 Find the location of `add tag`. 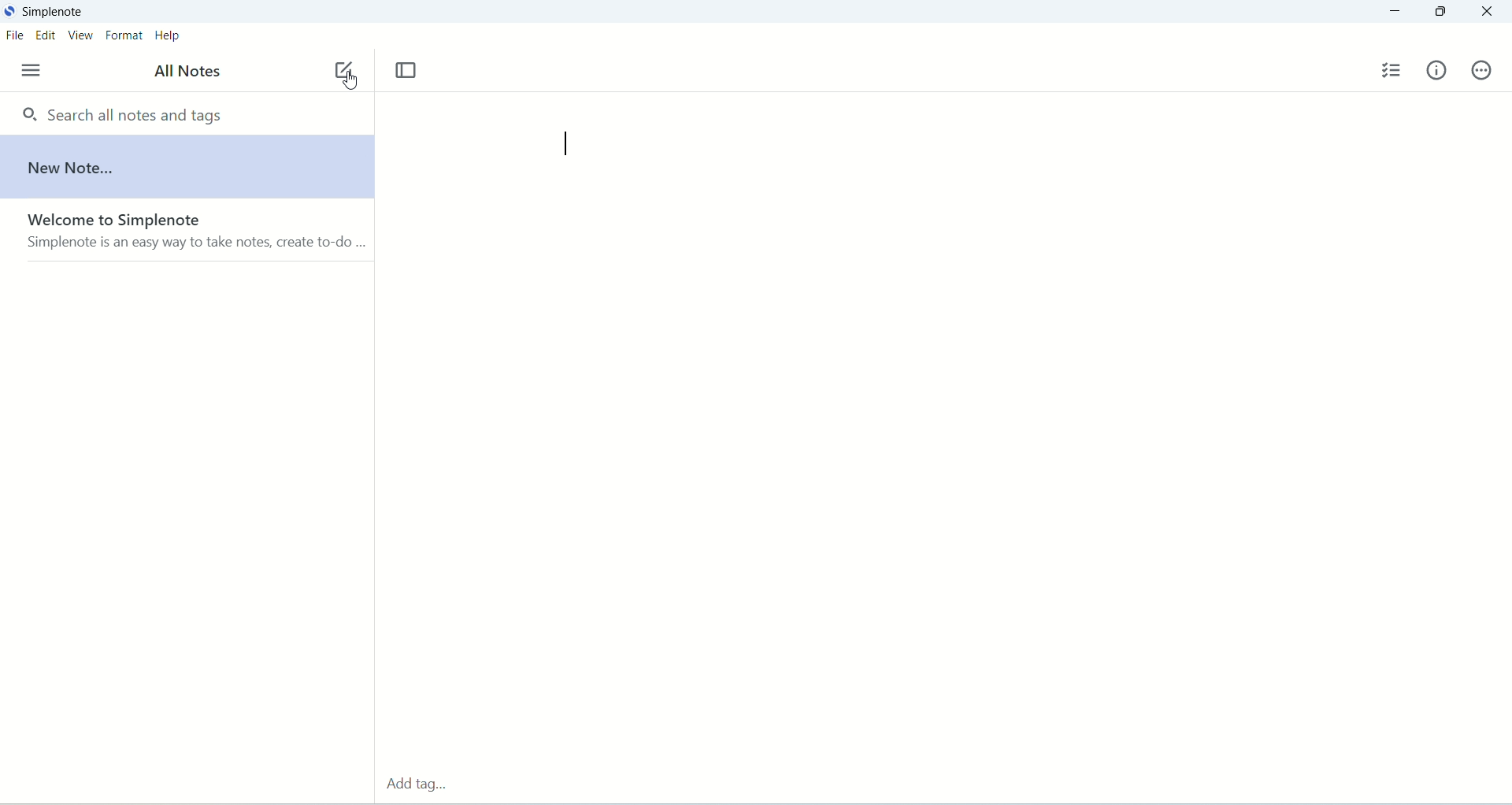

add tag is located at coordinates (424, 779).